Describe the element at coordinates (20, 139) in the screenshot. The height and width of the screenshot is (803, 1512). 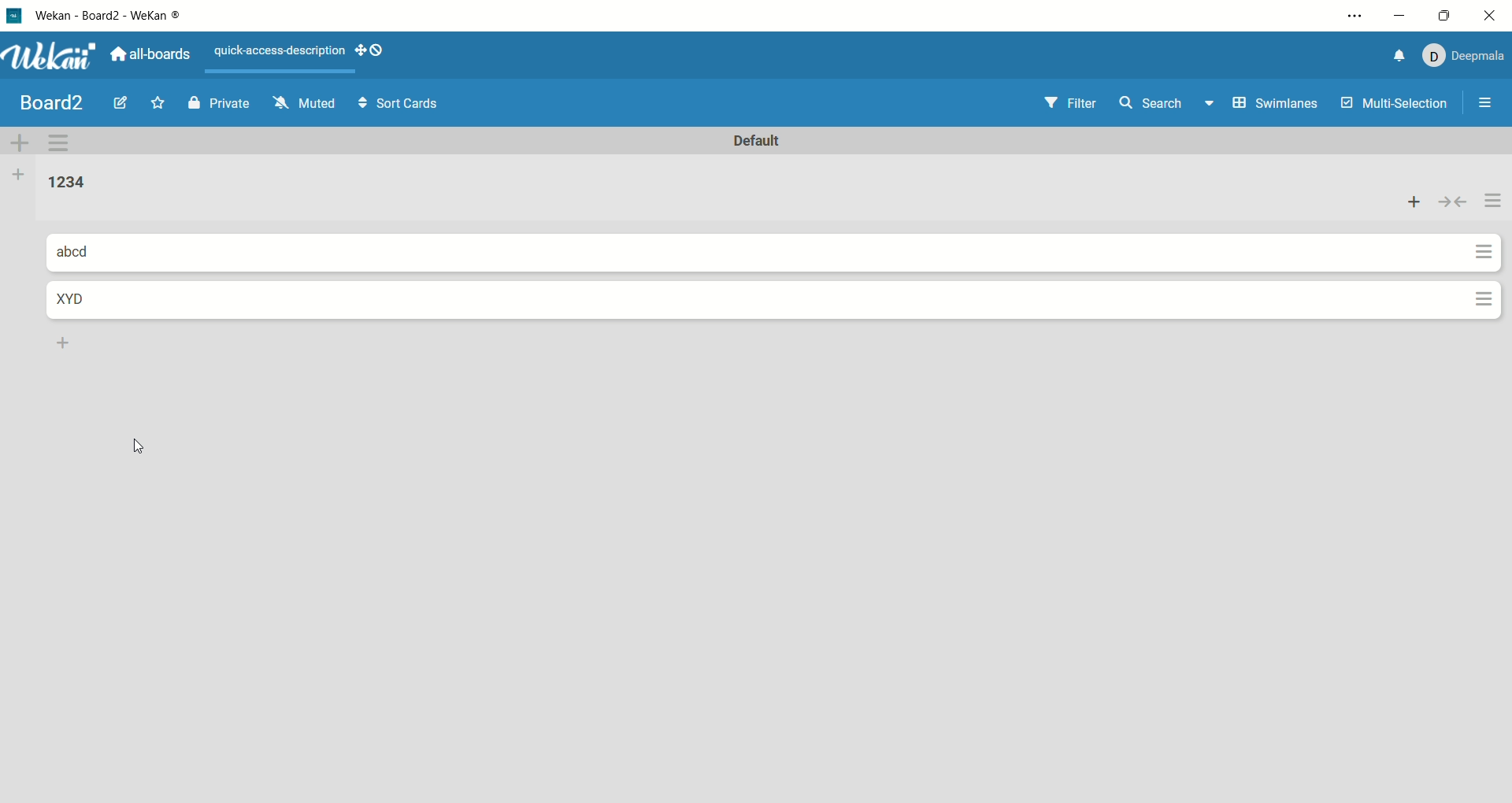
I see `add swimlane` at that location.